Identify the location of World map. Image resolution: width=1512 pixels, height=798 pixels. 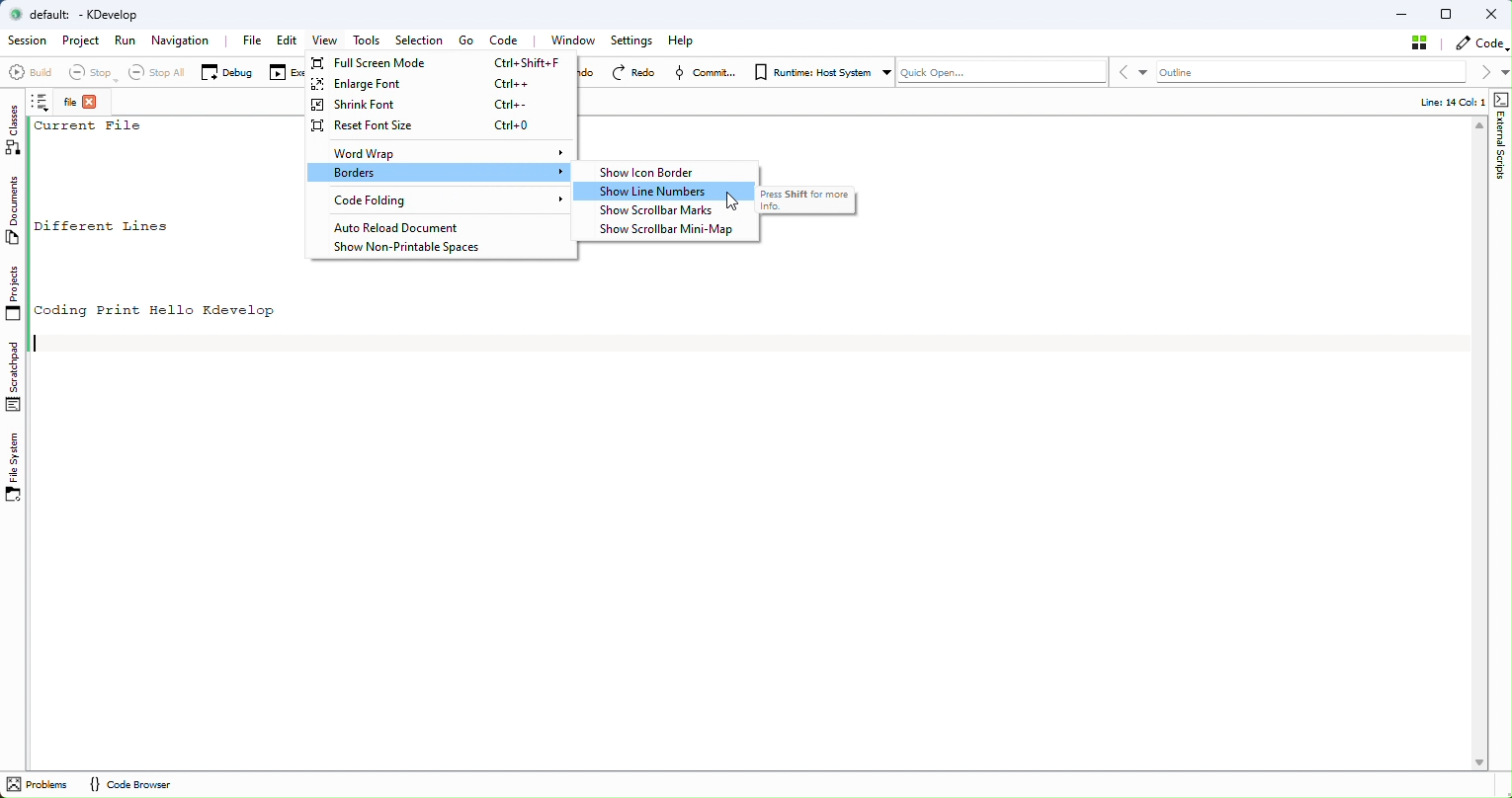
(442, 151).